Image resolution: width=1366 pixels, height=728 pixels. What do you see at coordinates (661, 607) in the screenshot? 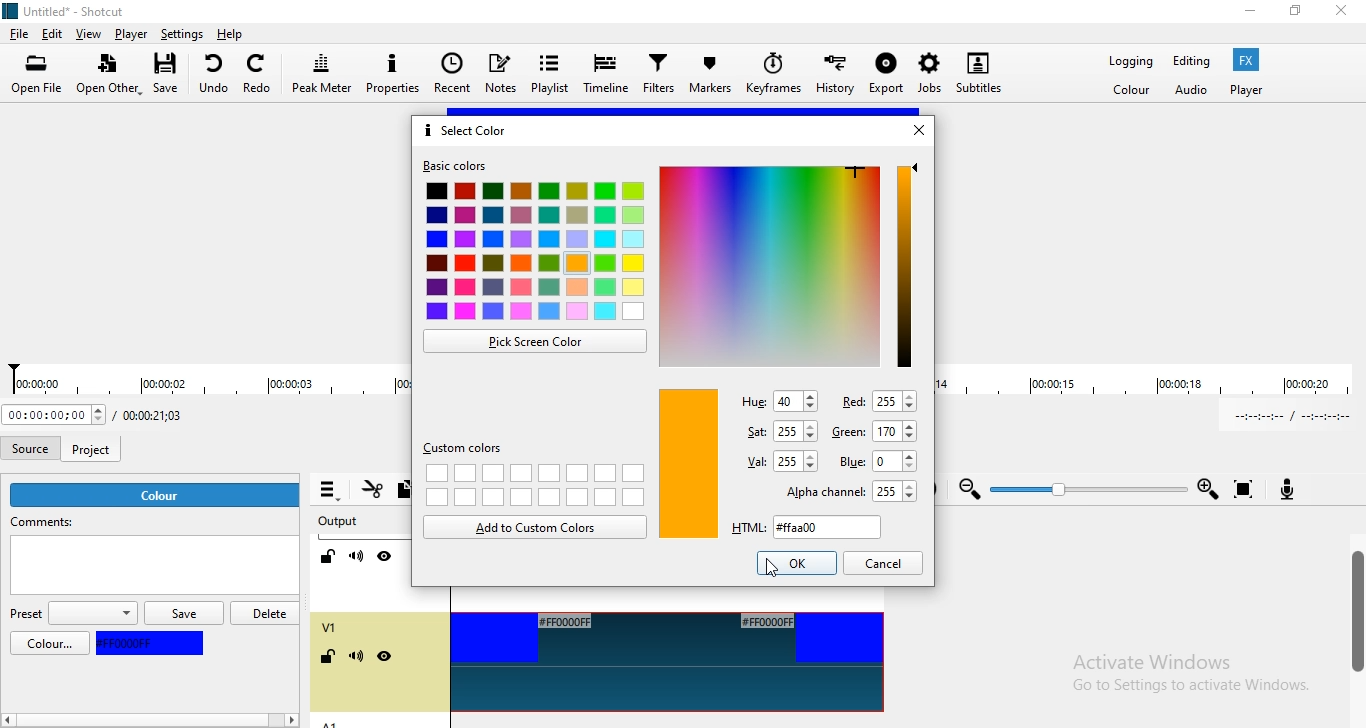
I see `Video track` at bounding box center [661, 607].